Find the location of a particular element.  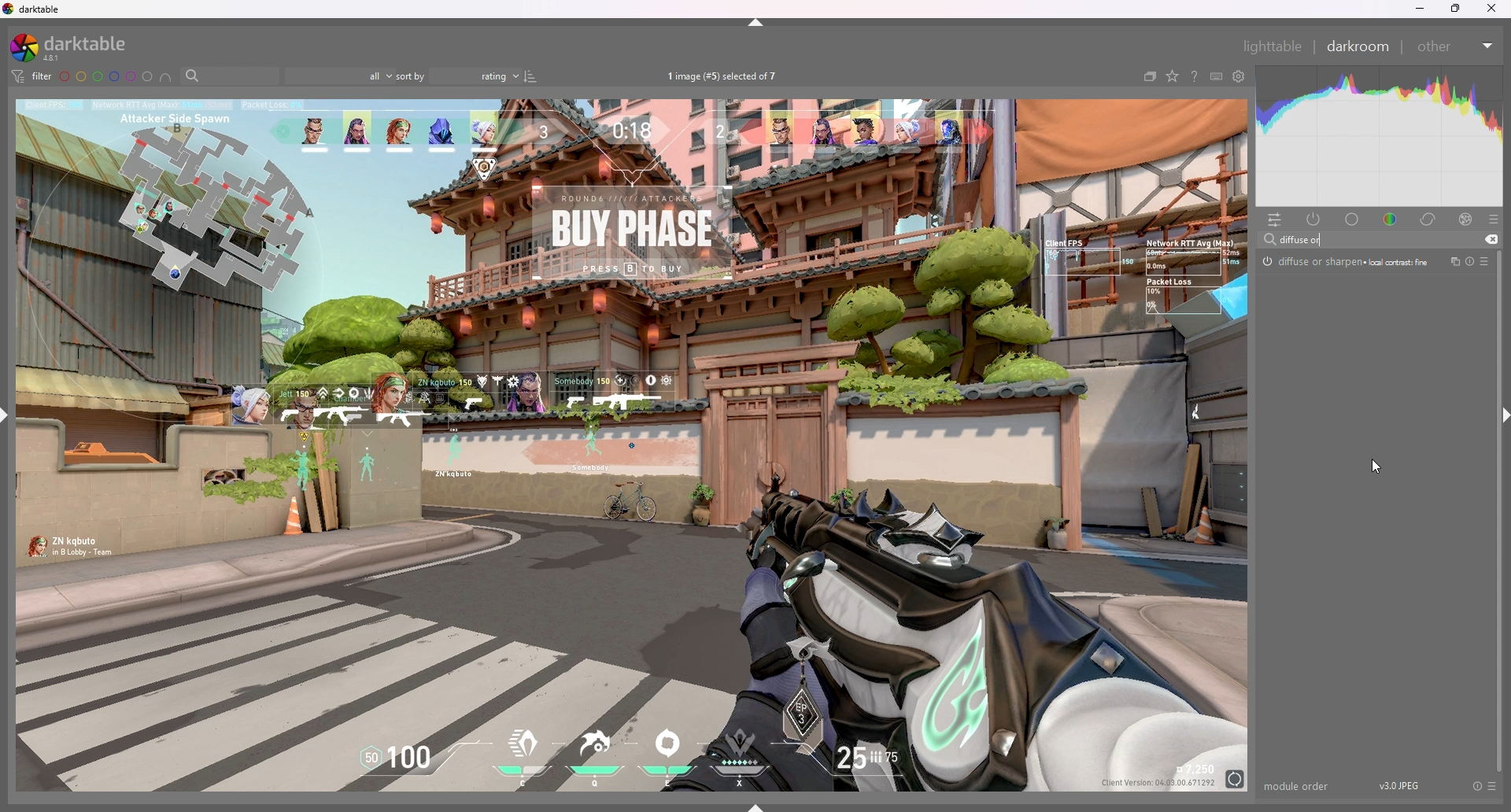

multiple instances action is located at coordinates (1450, 262).